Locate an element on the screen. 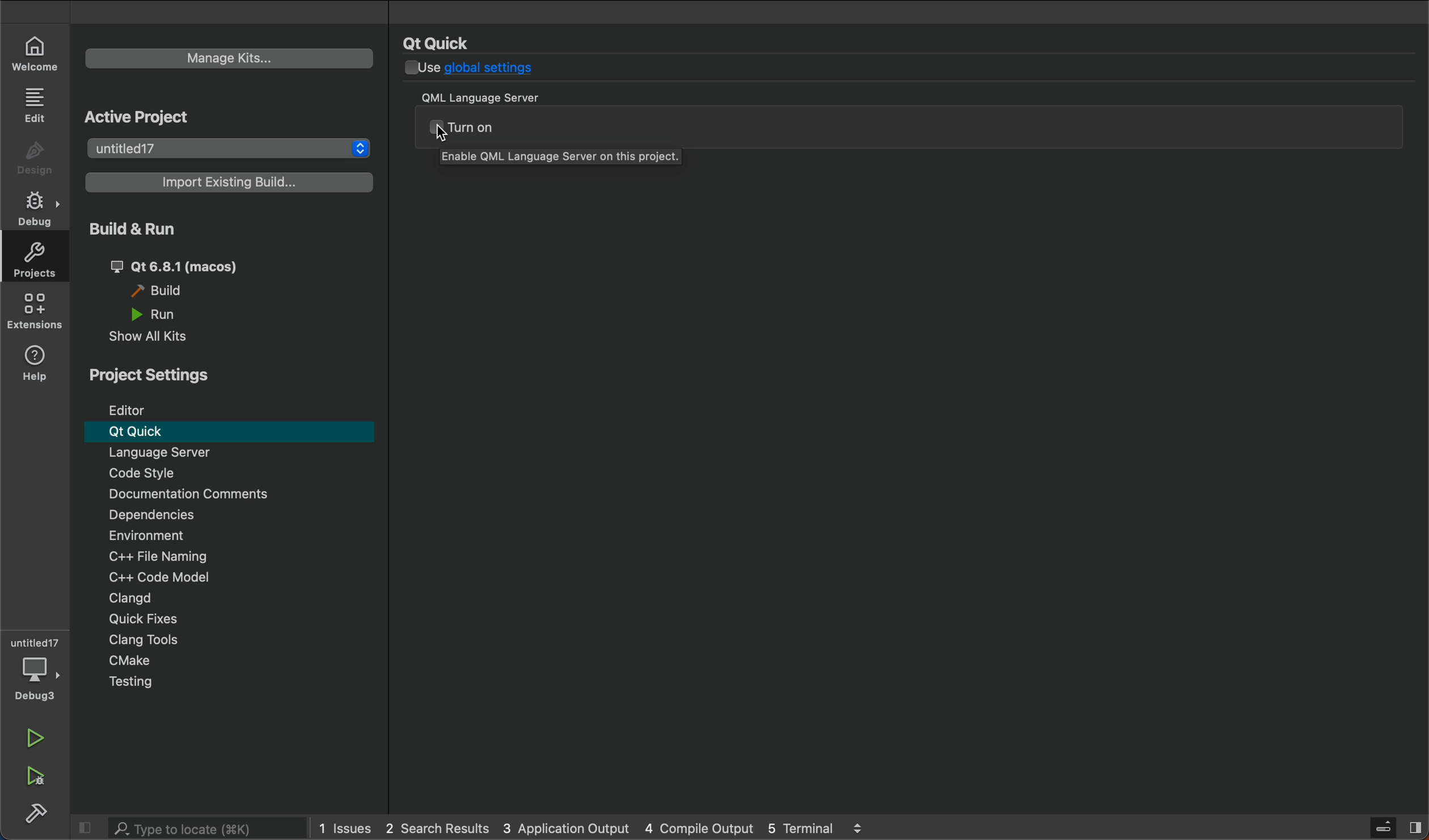 The height and width of the screenshot is (840, 1429). Qt Quick is located at coordinates (230, 432).